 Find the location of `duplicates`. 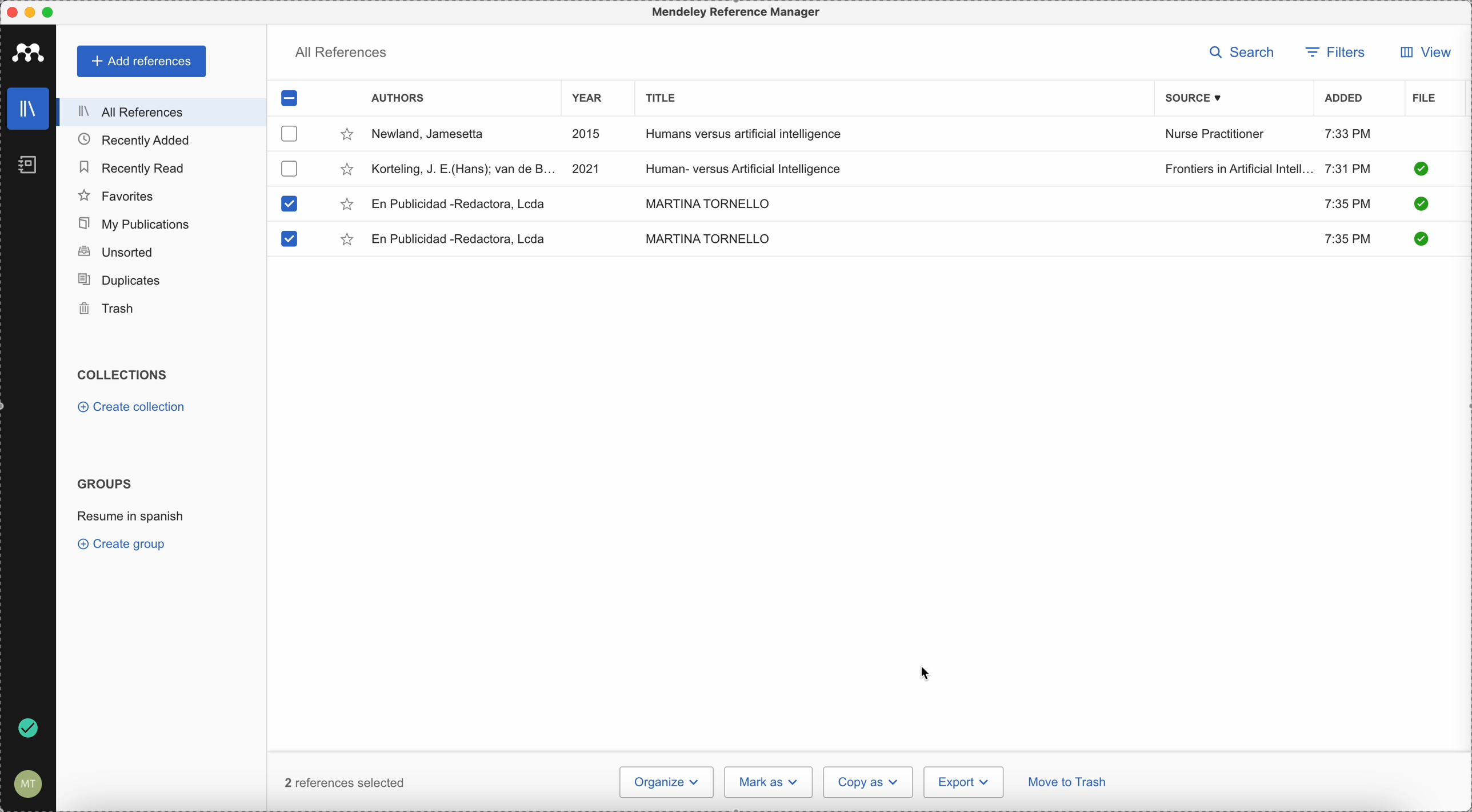

duplicates is located at coordinates (119, 281).